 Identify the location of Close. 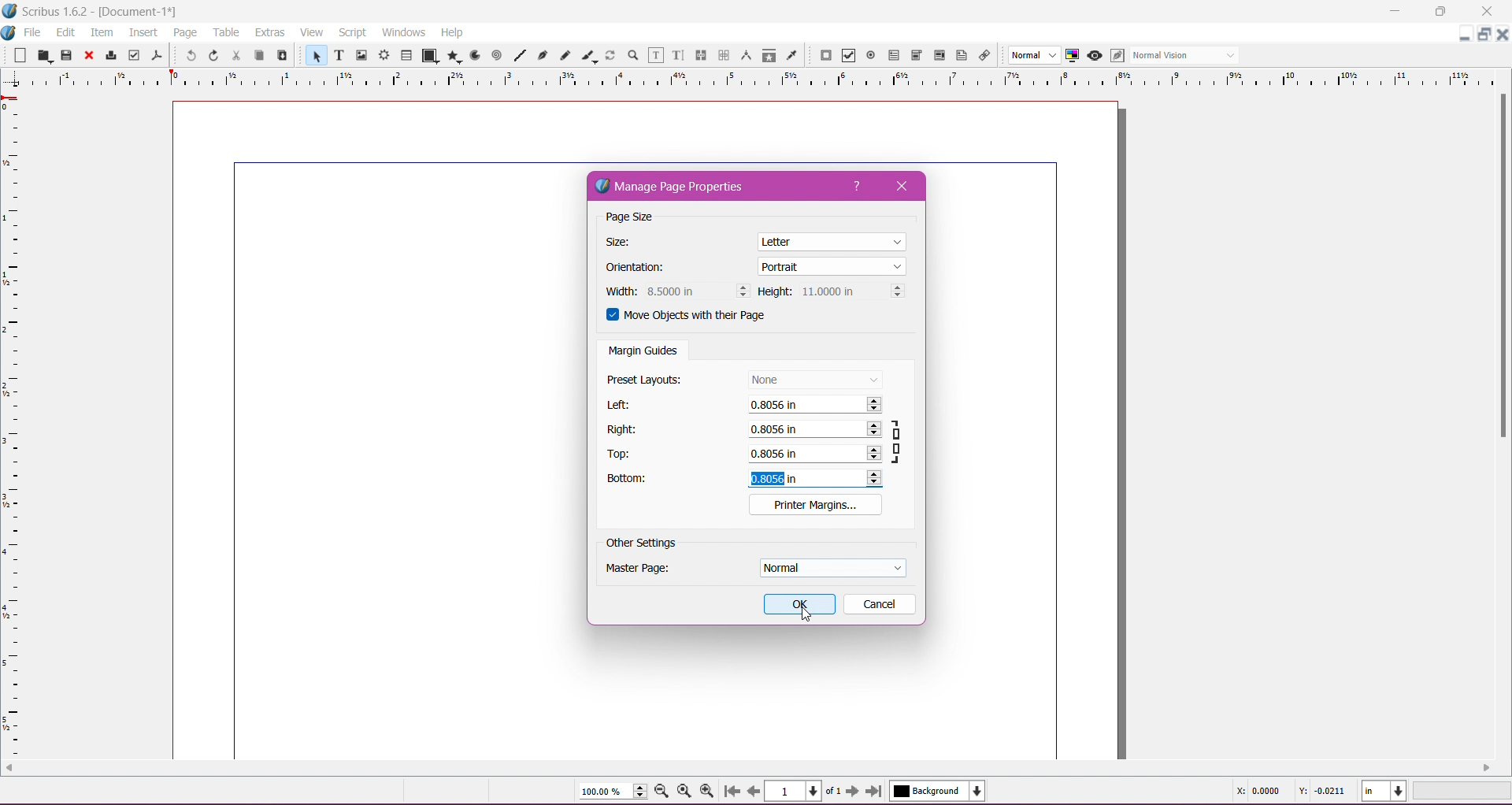
(1481, 12).